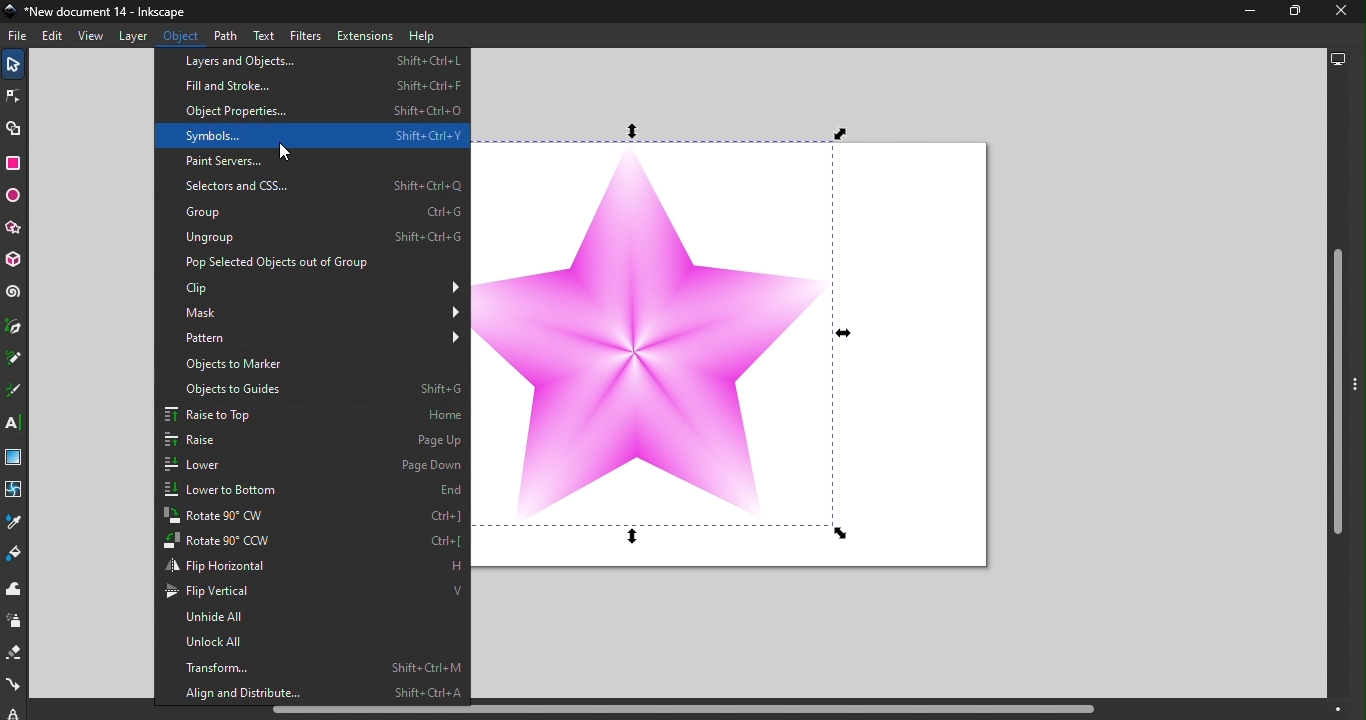 This screenshot has width=1366, height=720. What do you see at coordinates (12, 130) in the screenshot?
I see `Shape builder tool` at bounding box center [12, 130].